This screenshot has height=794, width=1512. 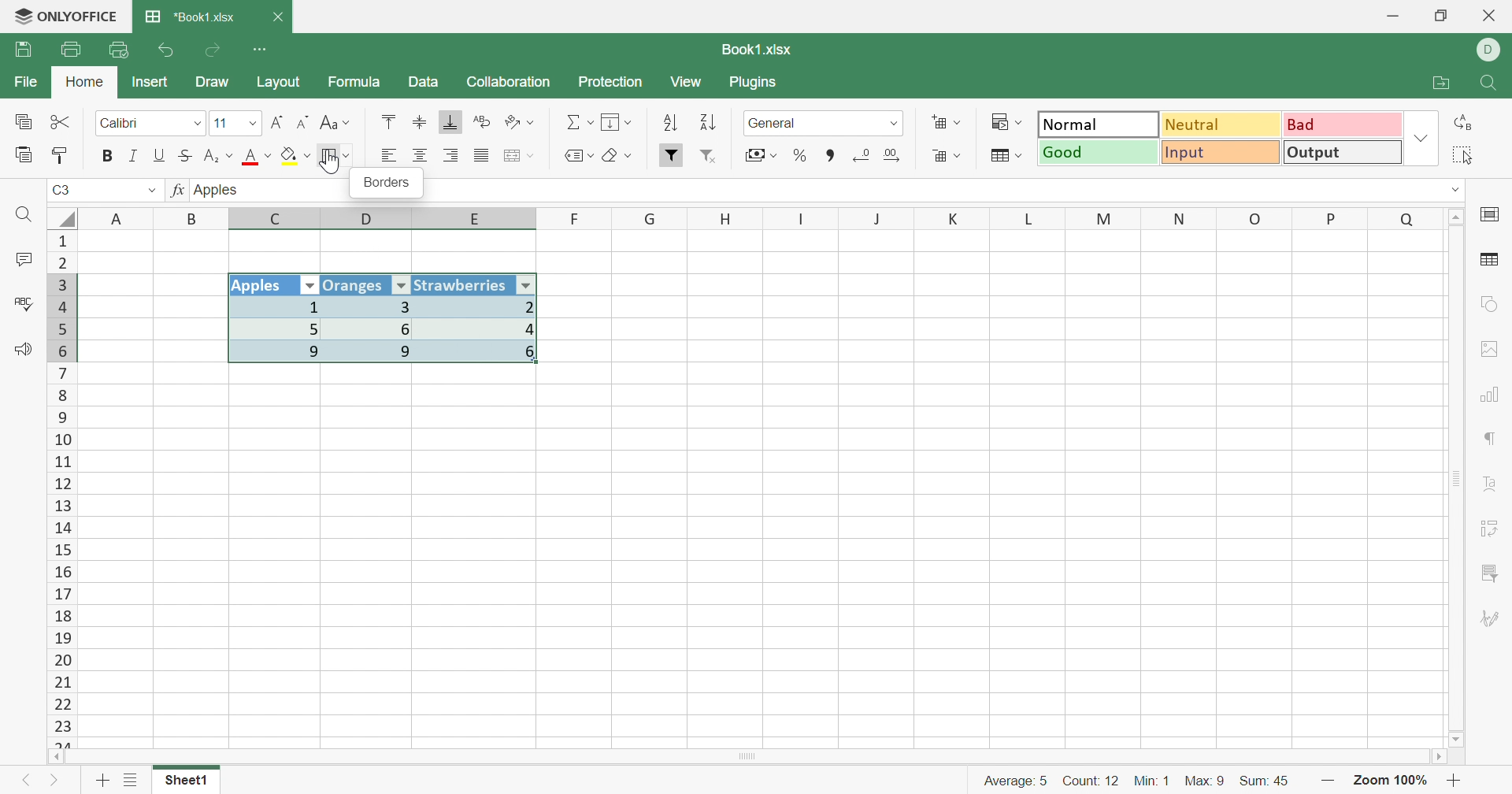 What do you see at coordinates (332, 163) in the screenshot?
I see `Cursor` at bounding box center [332, 163].